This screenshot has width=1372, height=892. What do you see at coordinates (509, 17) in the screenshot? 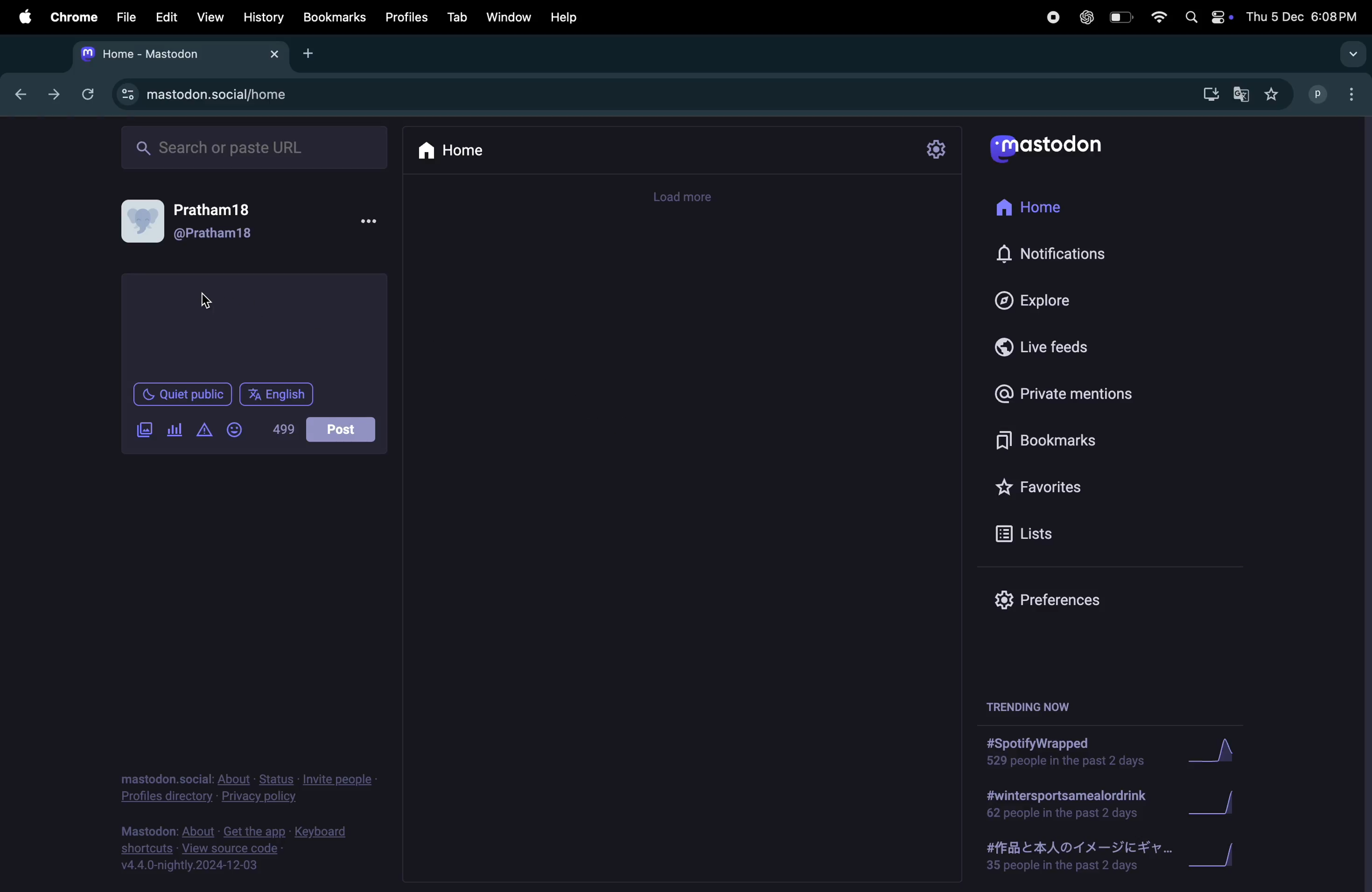
I see `window` at bounding box center [509, 17].